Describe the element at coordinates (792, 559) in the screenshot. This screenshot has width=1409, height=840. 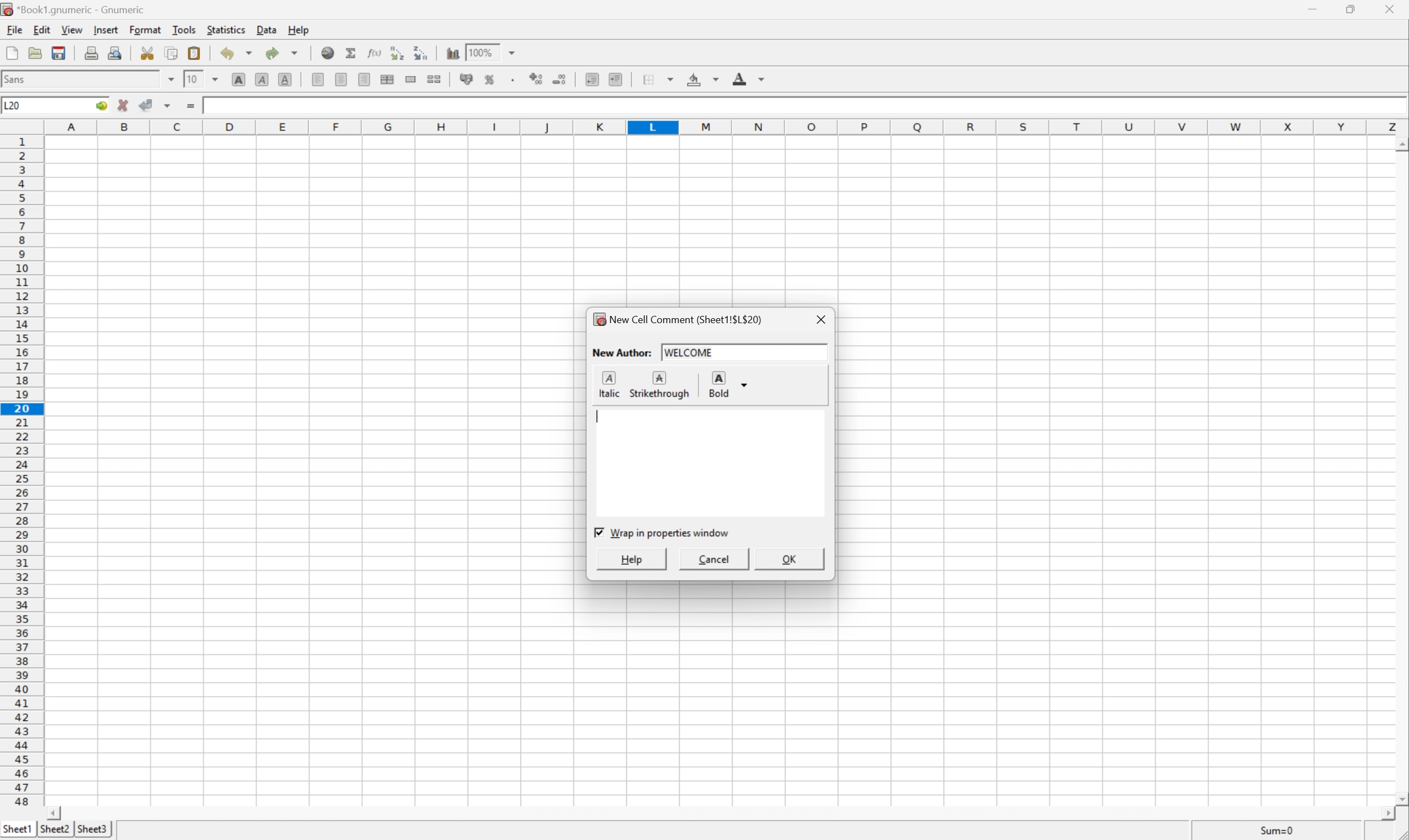
I see `OK` at that location.